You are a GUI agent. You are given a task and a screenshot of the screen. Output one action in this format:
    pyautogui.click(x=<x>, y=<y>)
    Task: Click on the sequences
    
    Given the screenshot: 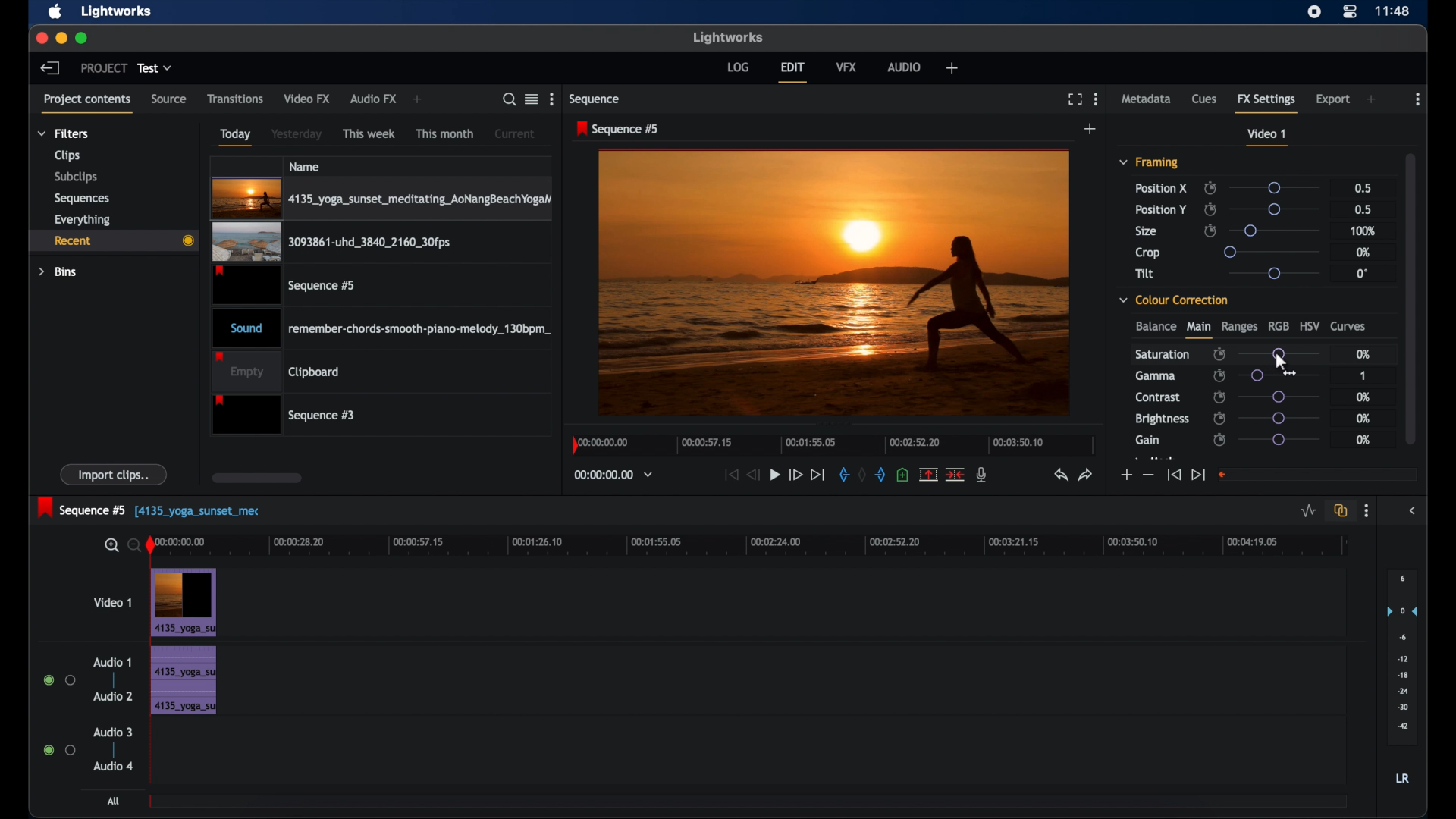 What is the action you would take?
    pyautogui.click(x=82, y=197)
    